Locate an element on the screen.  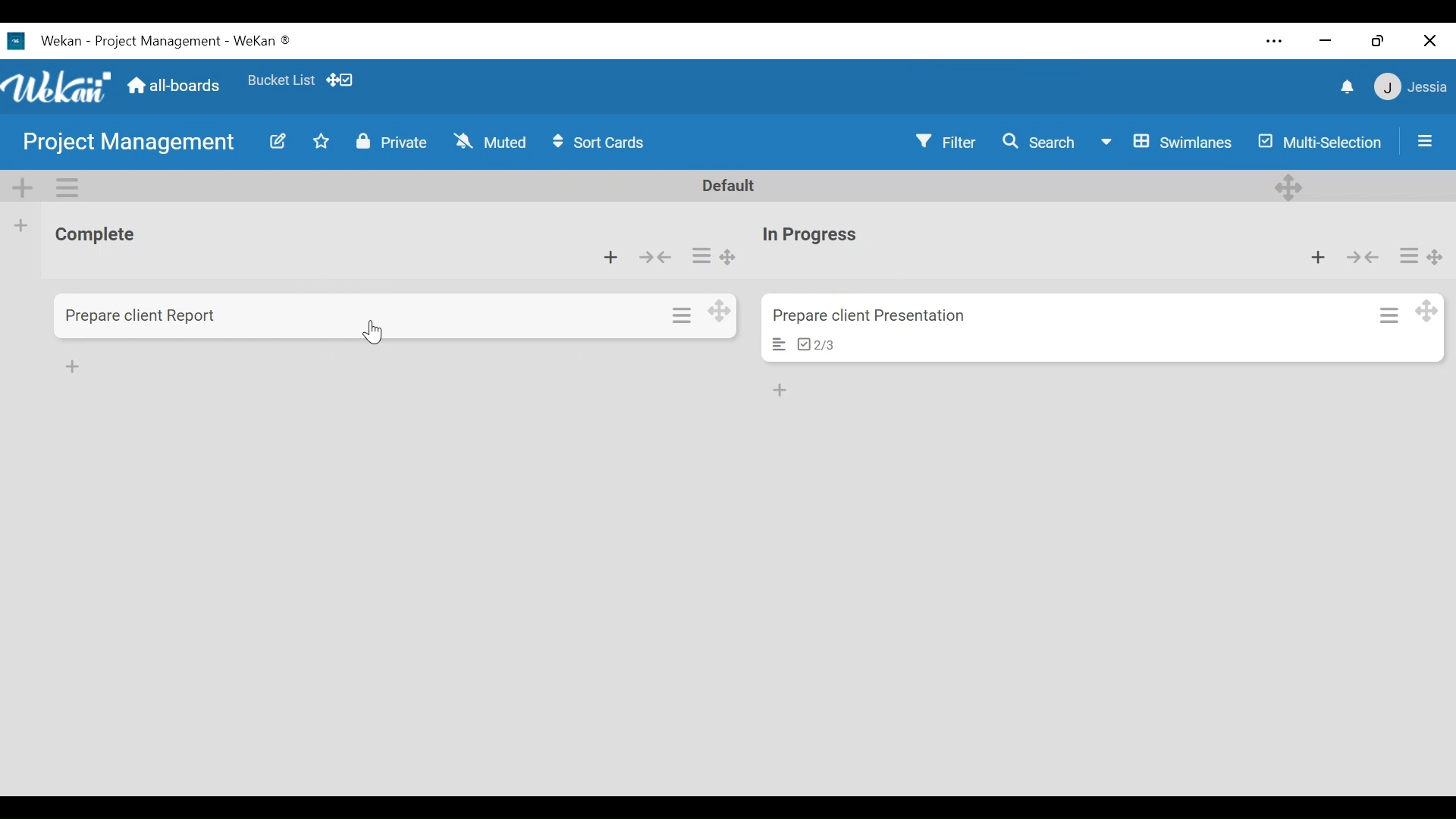
Card actions is located at coordinates (1390, 315).